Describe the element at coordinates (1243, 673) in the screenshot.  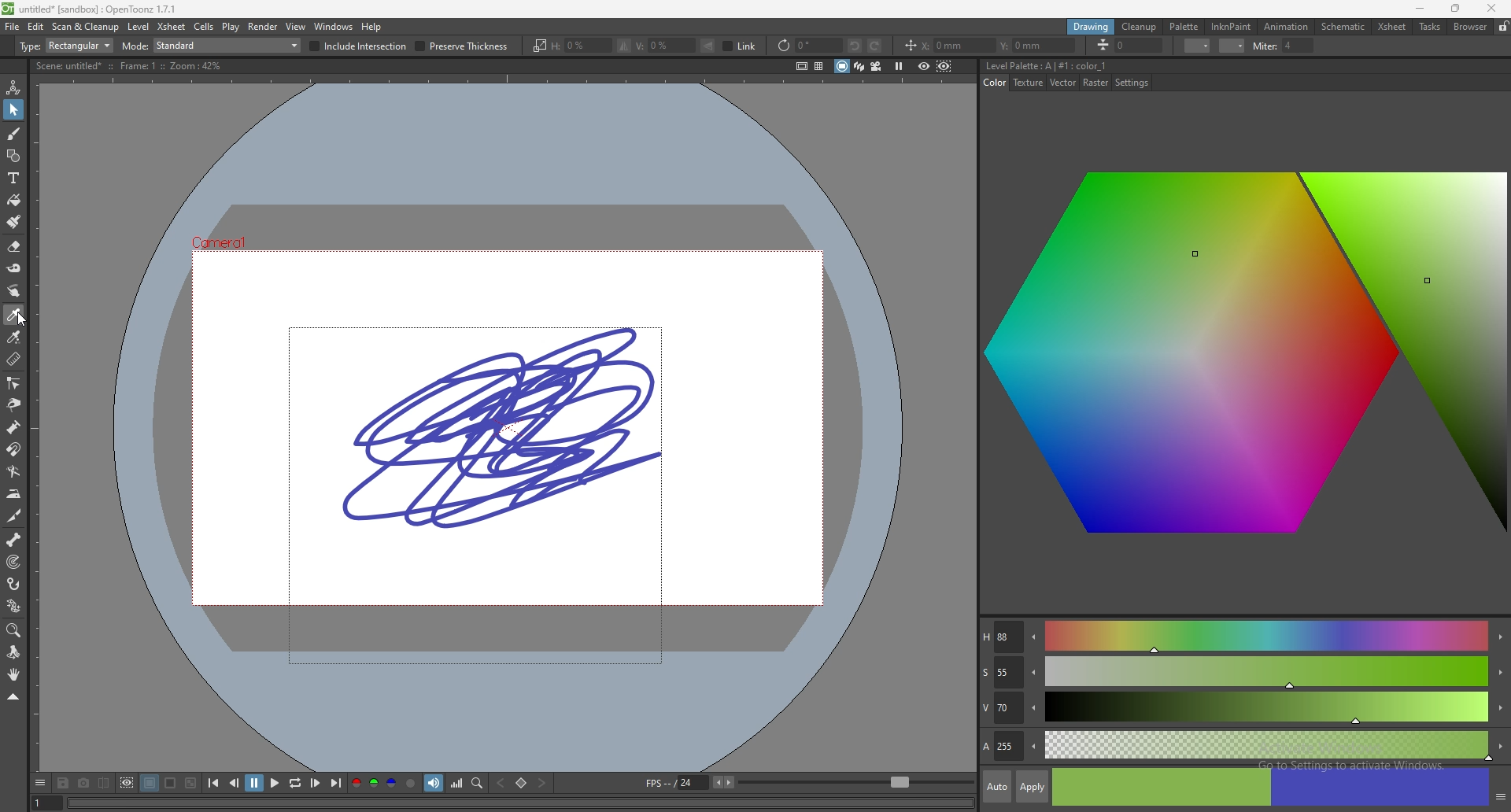
I see `saturation` at that location.